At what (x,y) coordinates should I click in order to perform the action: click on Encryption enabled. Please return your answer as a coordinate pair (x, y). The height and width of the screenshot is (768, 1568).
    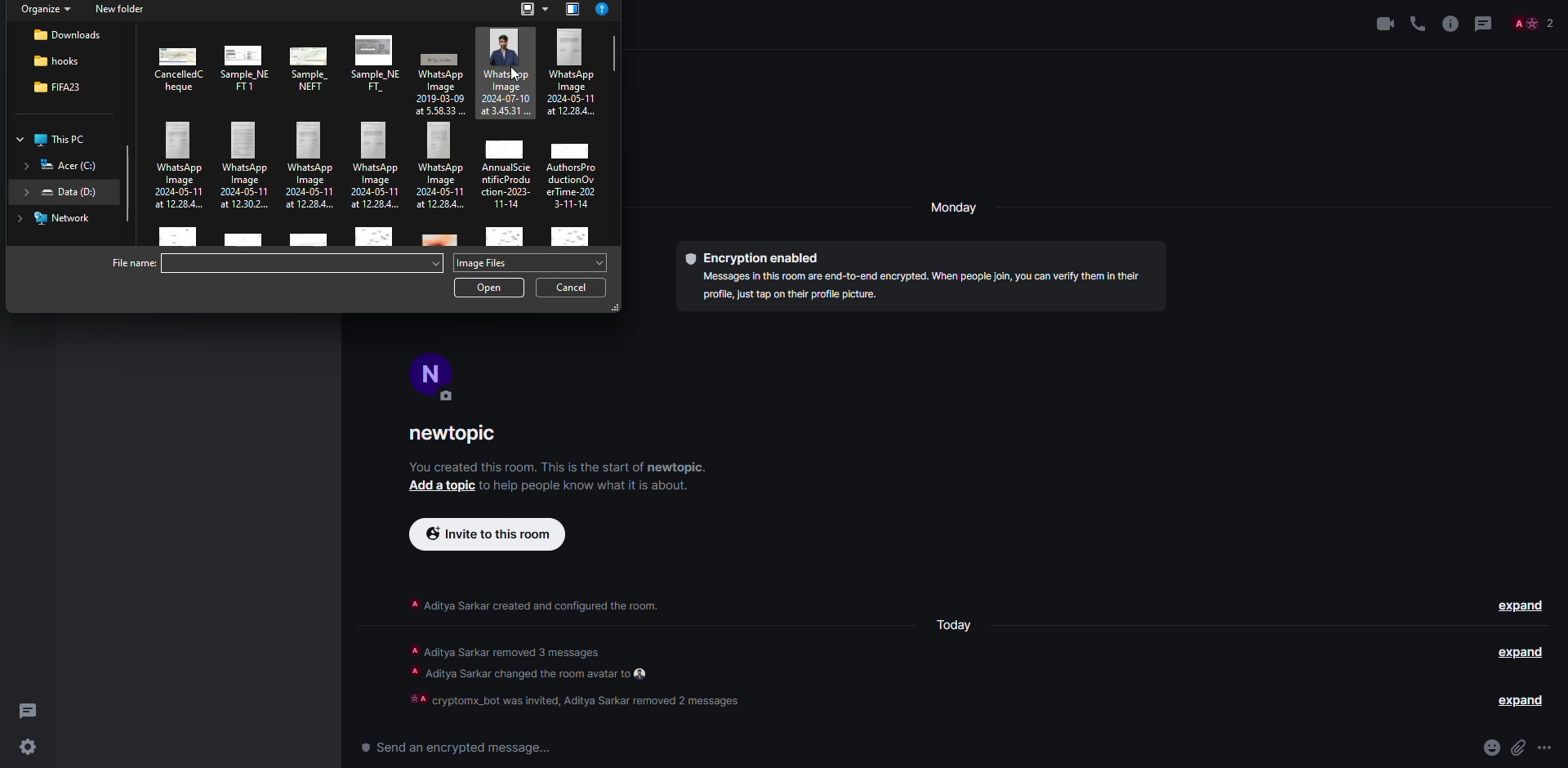
    Looking at the image, I should click on (761, 255).